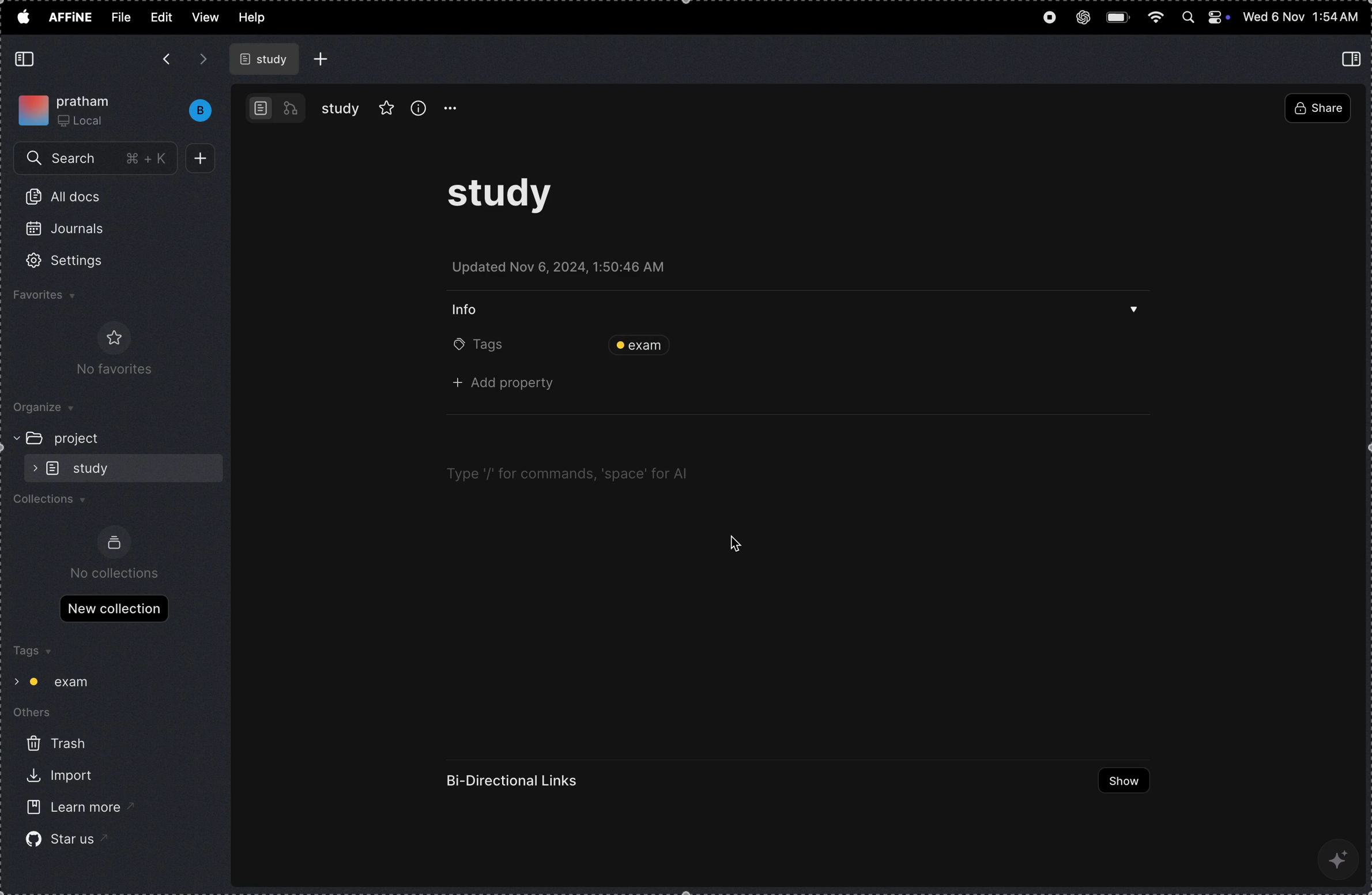 This screenshot has height=895, width=1372. I want to click on bench, so click(194, 111).